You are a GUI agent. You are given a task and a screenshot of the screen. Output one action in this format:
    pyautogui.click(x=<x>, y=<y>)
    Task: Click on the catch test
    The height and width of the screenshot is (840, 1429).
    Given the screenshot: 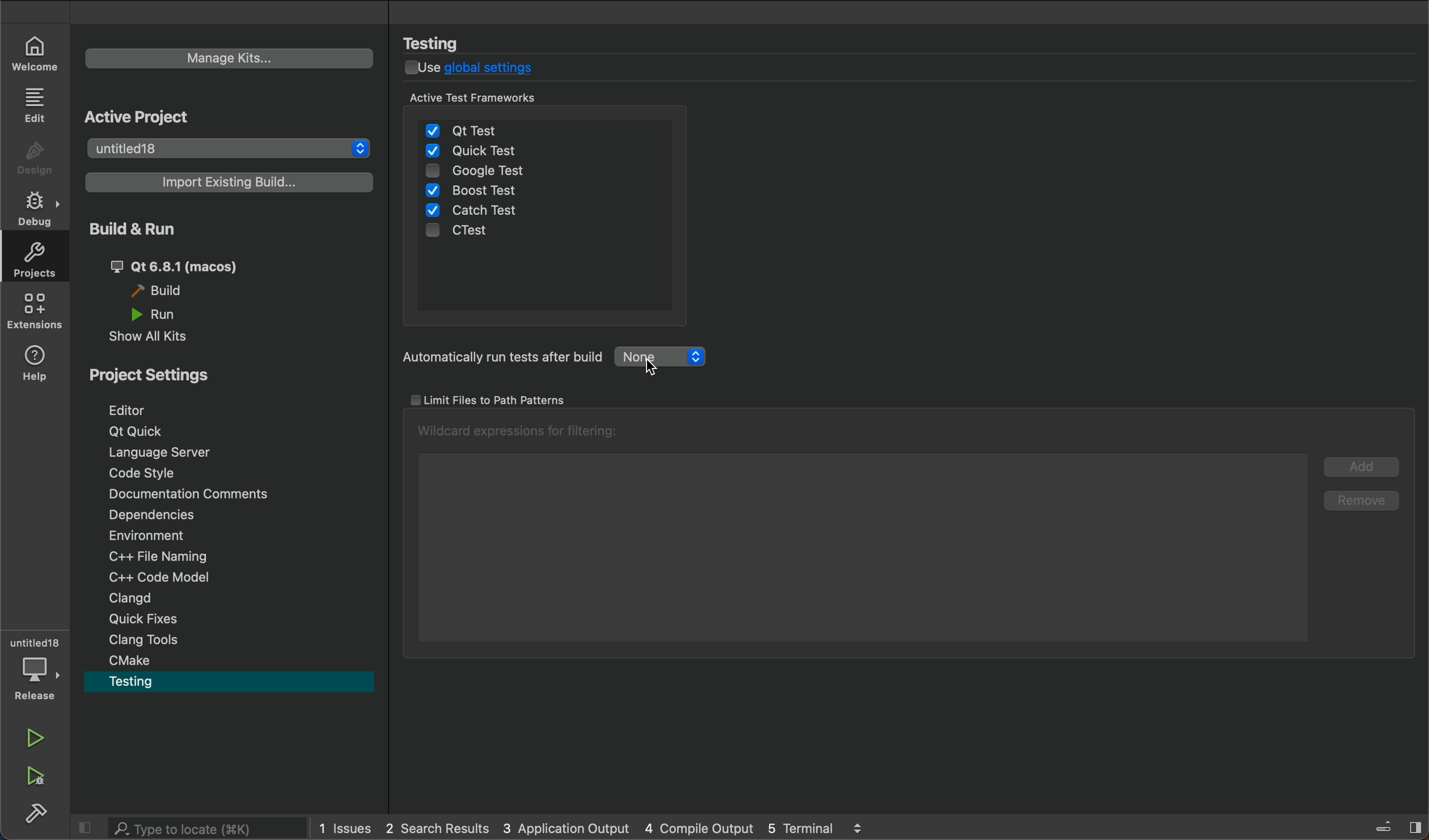 What is the action you would take?
    pyautogui.click(x=473, y=210)
    